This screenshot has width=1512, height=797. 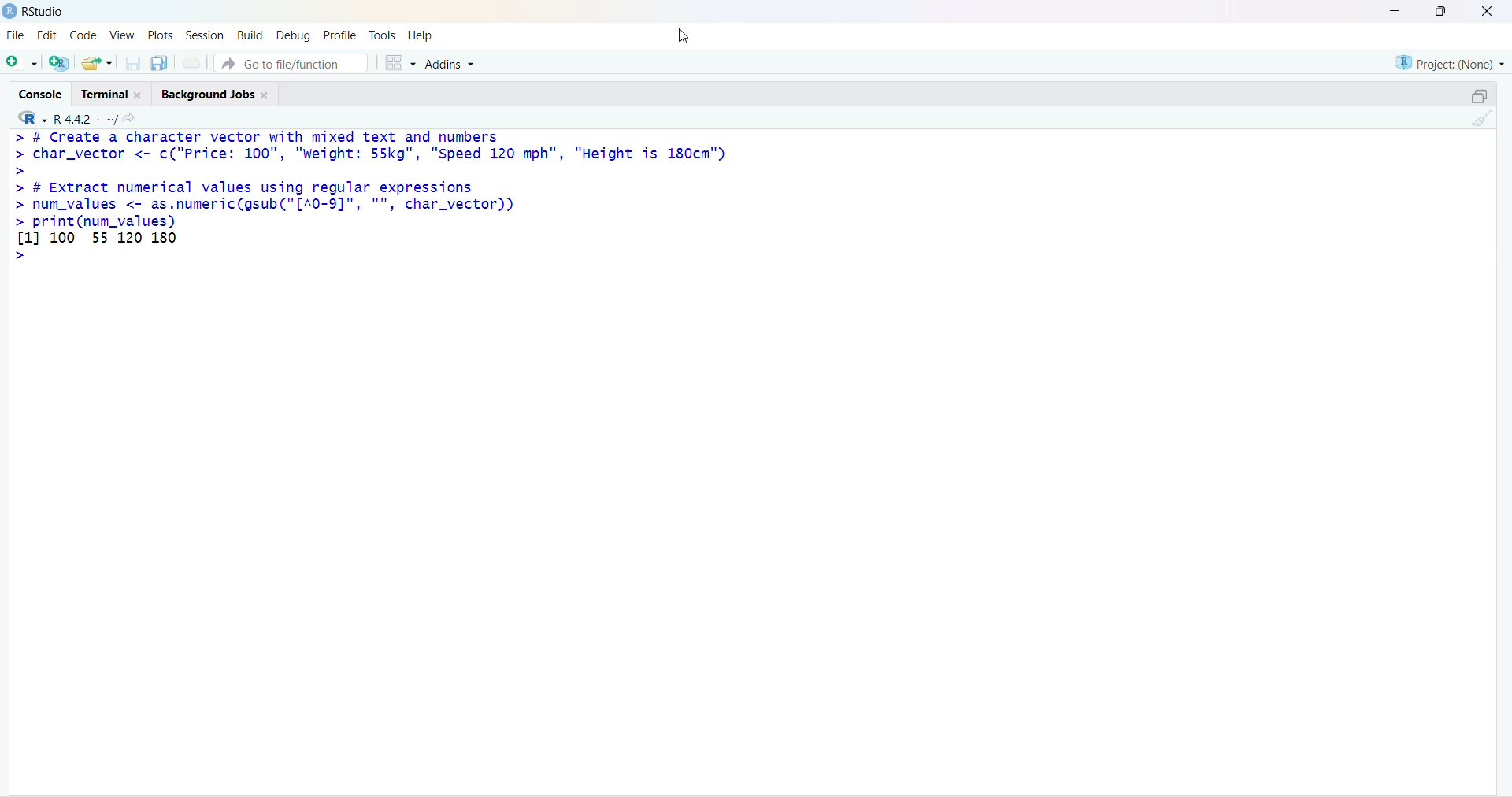 I want to click on maiximise, so click(x=1440, y=11).